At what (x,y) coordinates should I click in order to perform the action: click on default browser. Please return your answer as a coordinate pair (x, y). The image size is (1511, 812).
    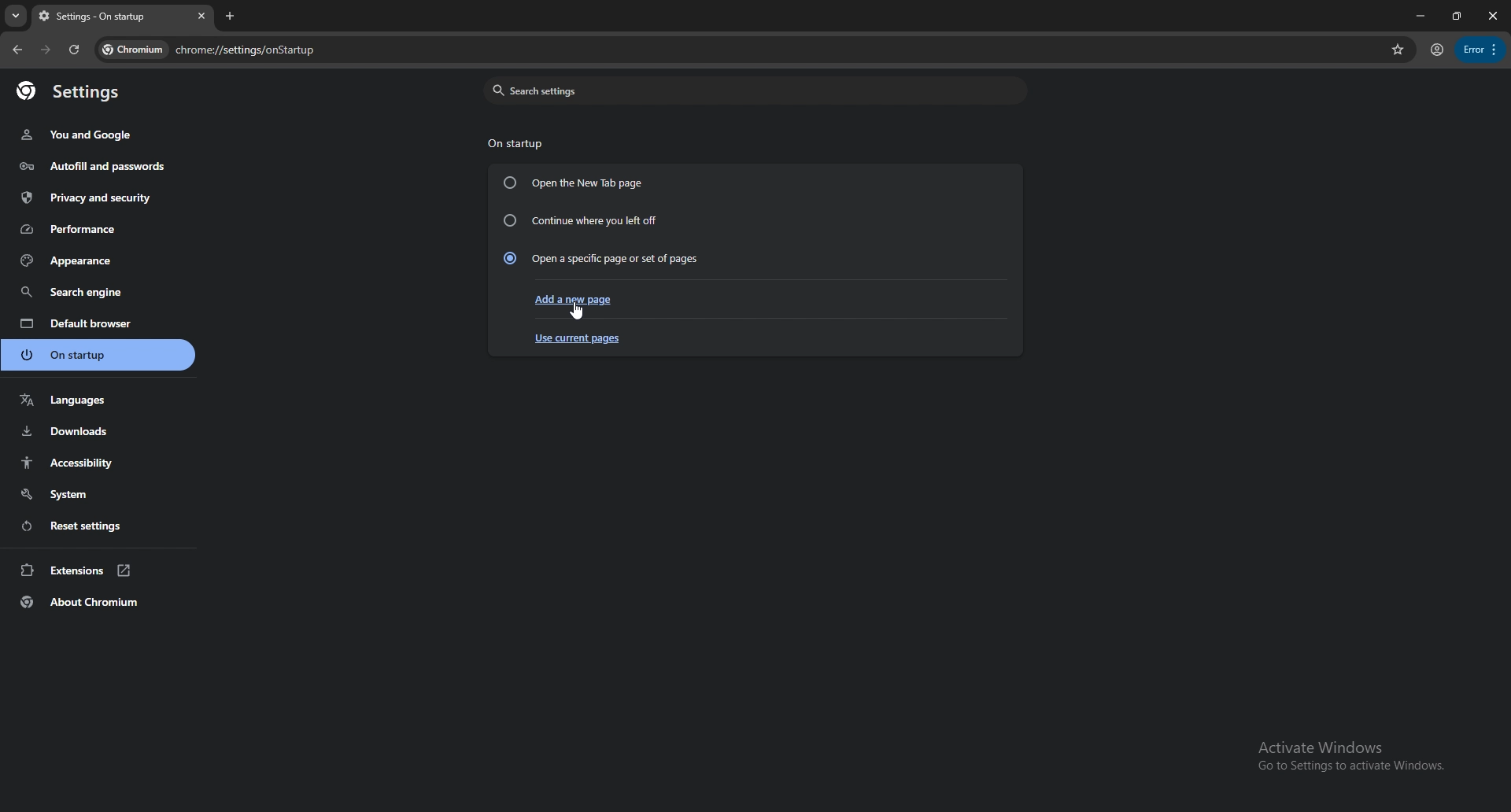
    Looking at the image, I should click on (98, 323).